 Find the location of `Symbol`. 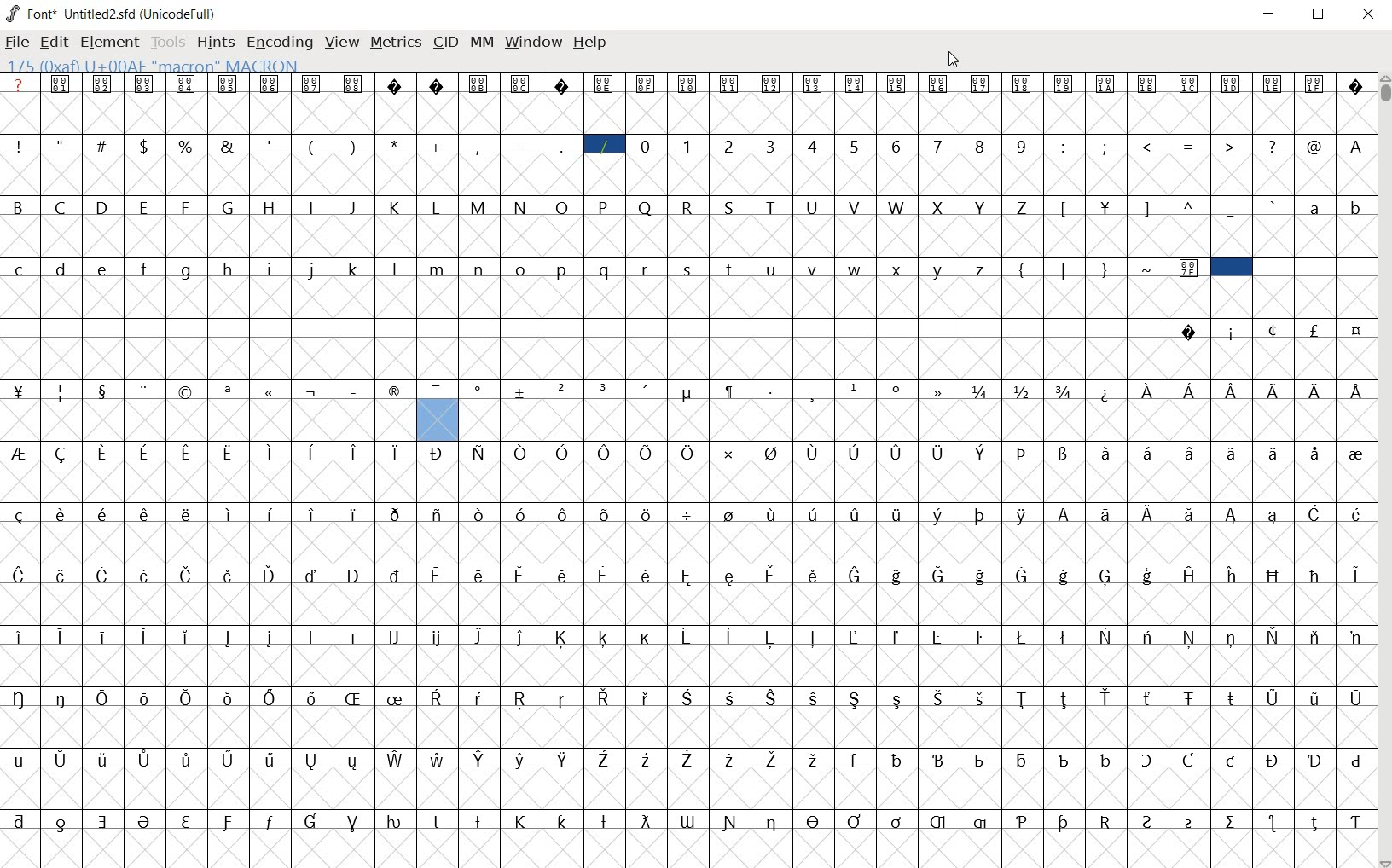

Symbol is located at coordinates (774, 758).